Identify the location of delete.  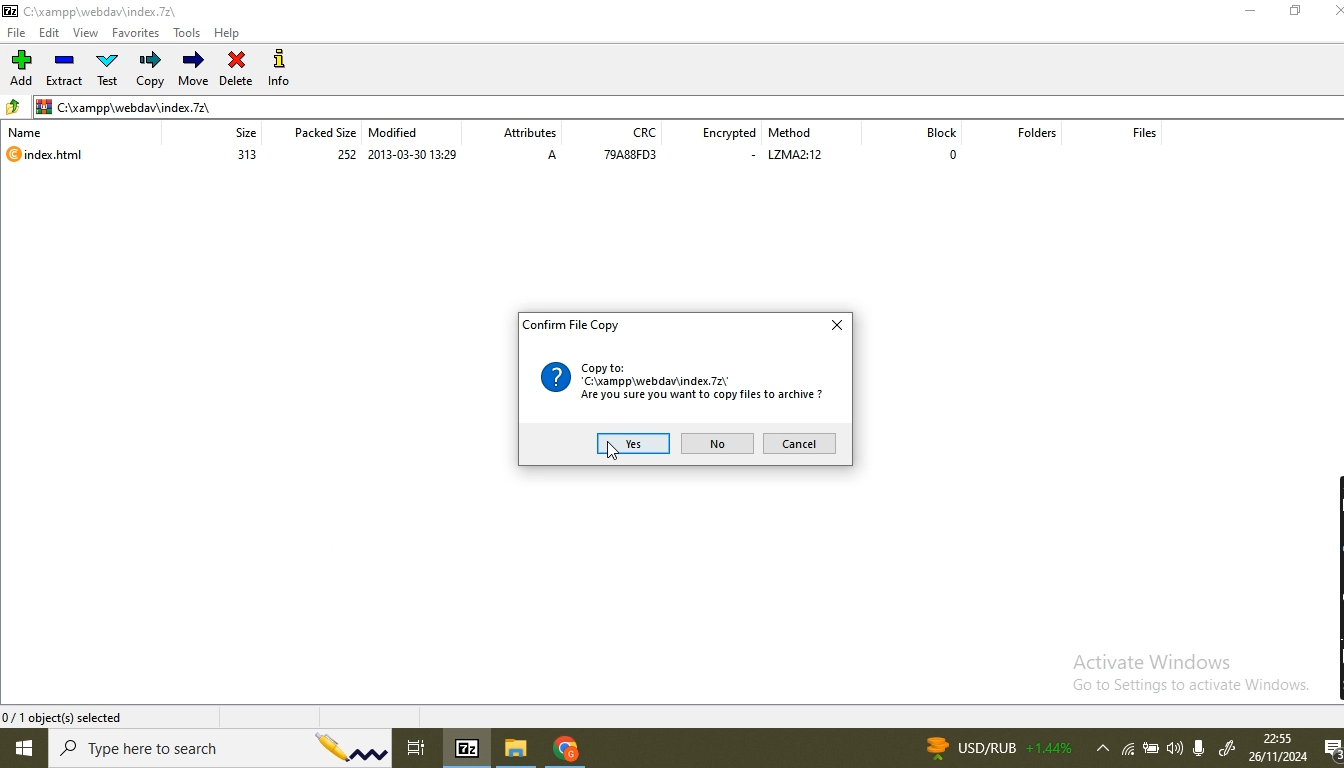
(238, 66).